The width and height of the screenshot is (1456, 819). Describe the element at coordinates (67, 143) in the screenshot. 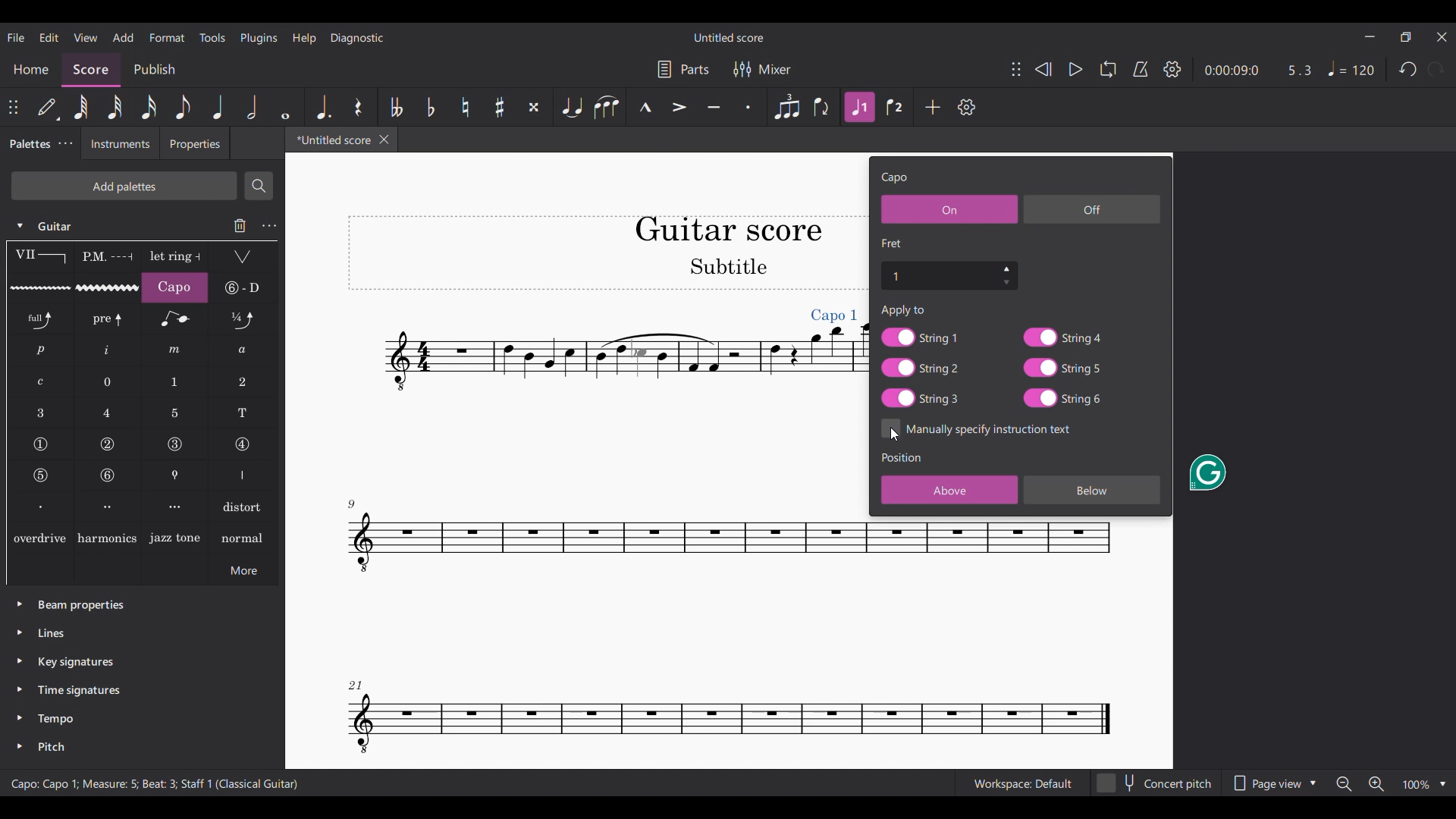

I see `Palette tab settings` at that location.